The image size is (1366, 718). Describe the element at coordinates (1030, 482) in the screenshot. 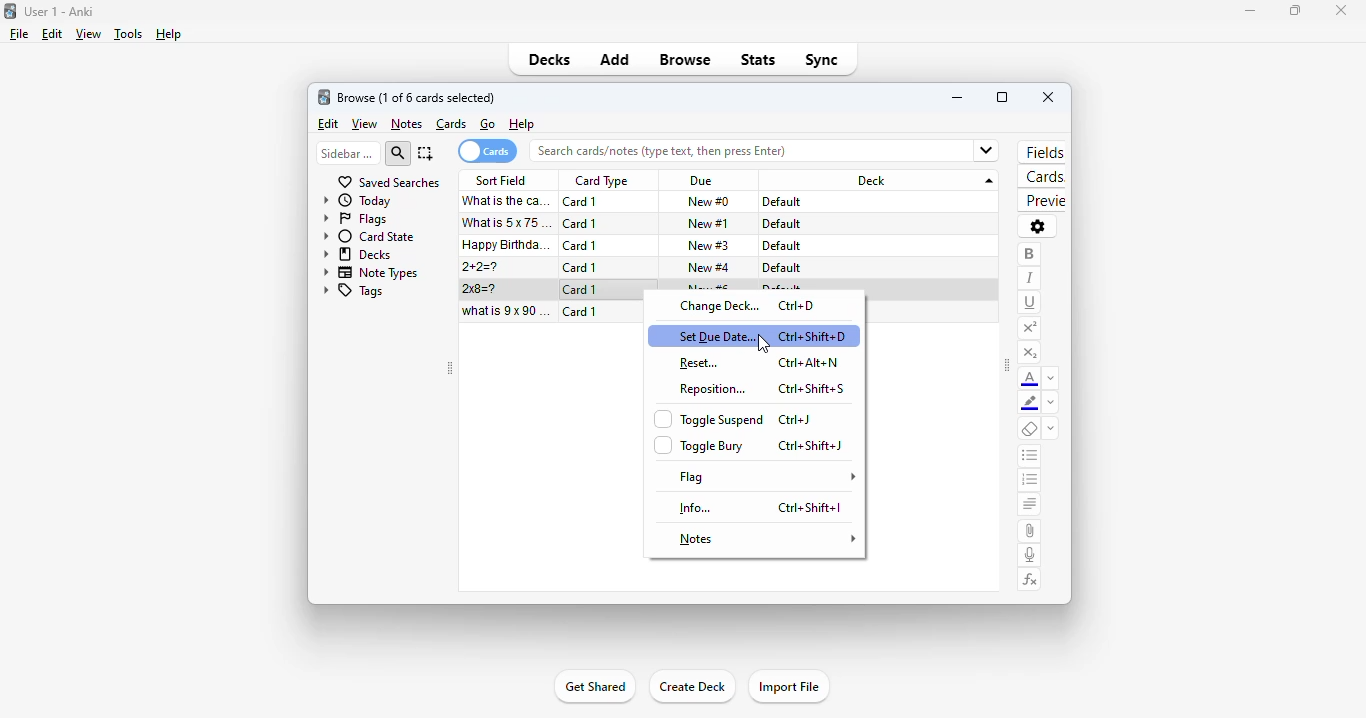

I see `ordered list` at that location.